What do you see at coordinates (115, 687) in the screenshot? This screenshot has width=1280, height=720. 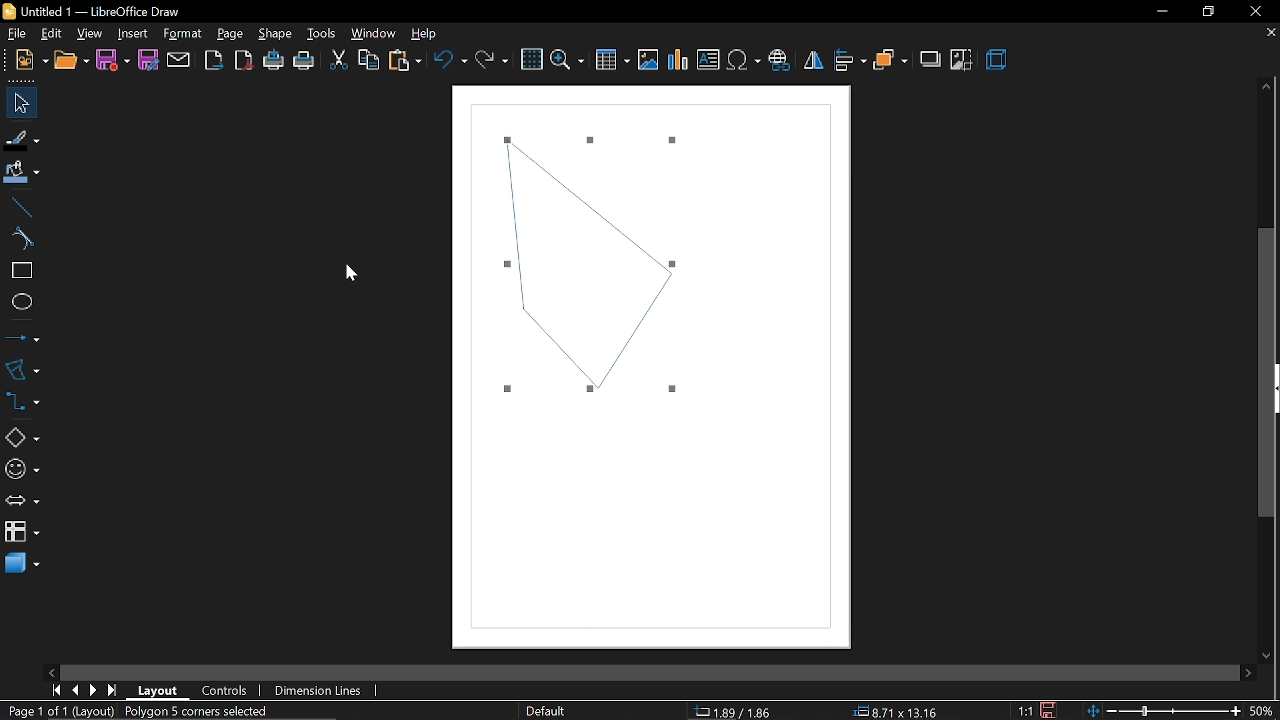 I see `go to last page` at bounding box center [115, 687].